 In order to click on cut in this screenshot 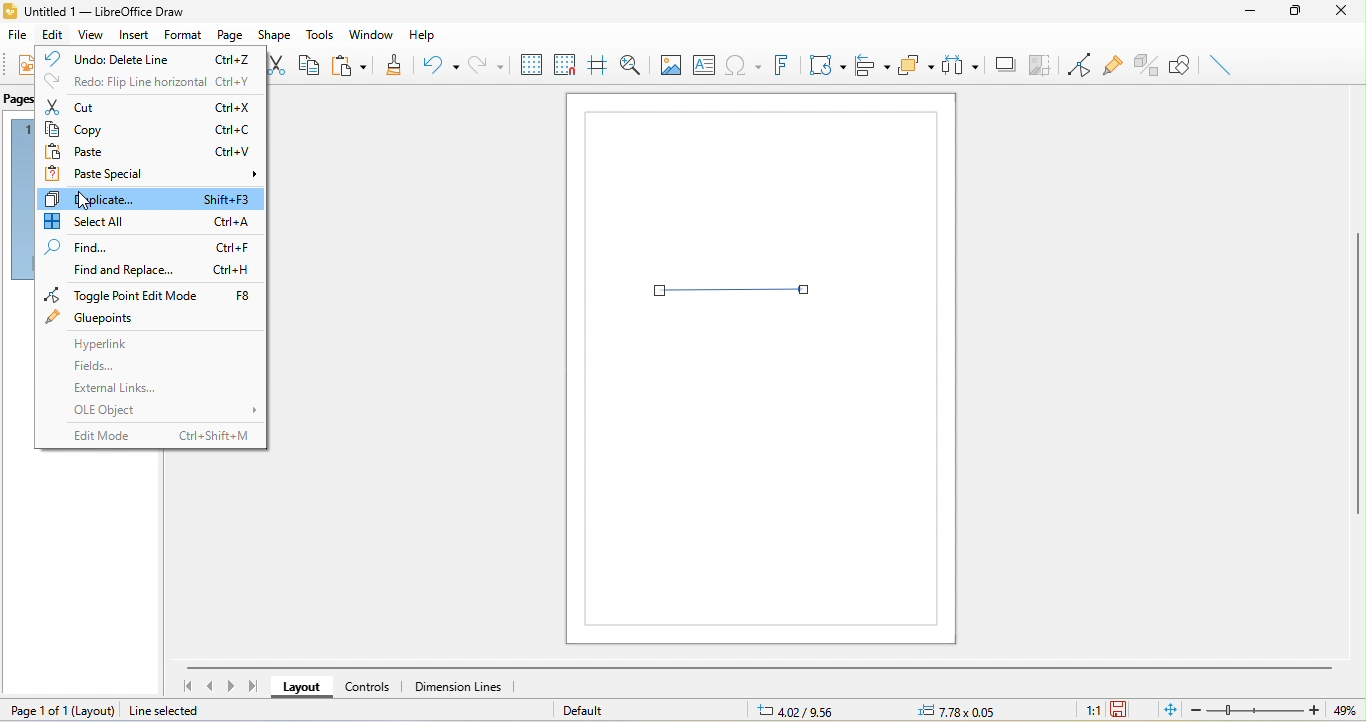, I will do `click(152, 106)`.